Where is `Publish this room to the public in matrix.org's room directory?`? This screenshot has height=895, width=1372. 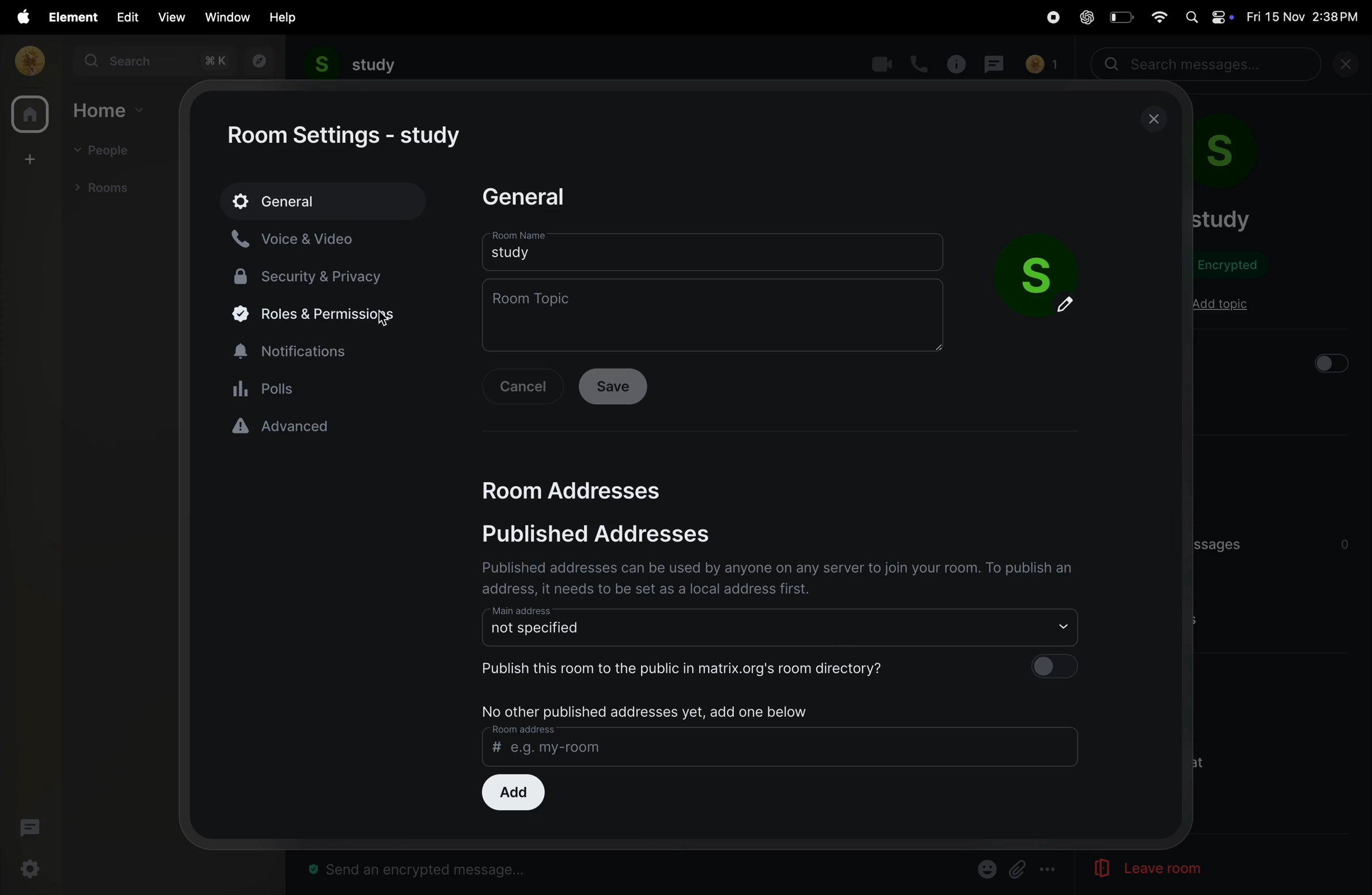
Publish this room to the public in matrix.org's room directory? is located at coordinates (781, 667).